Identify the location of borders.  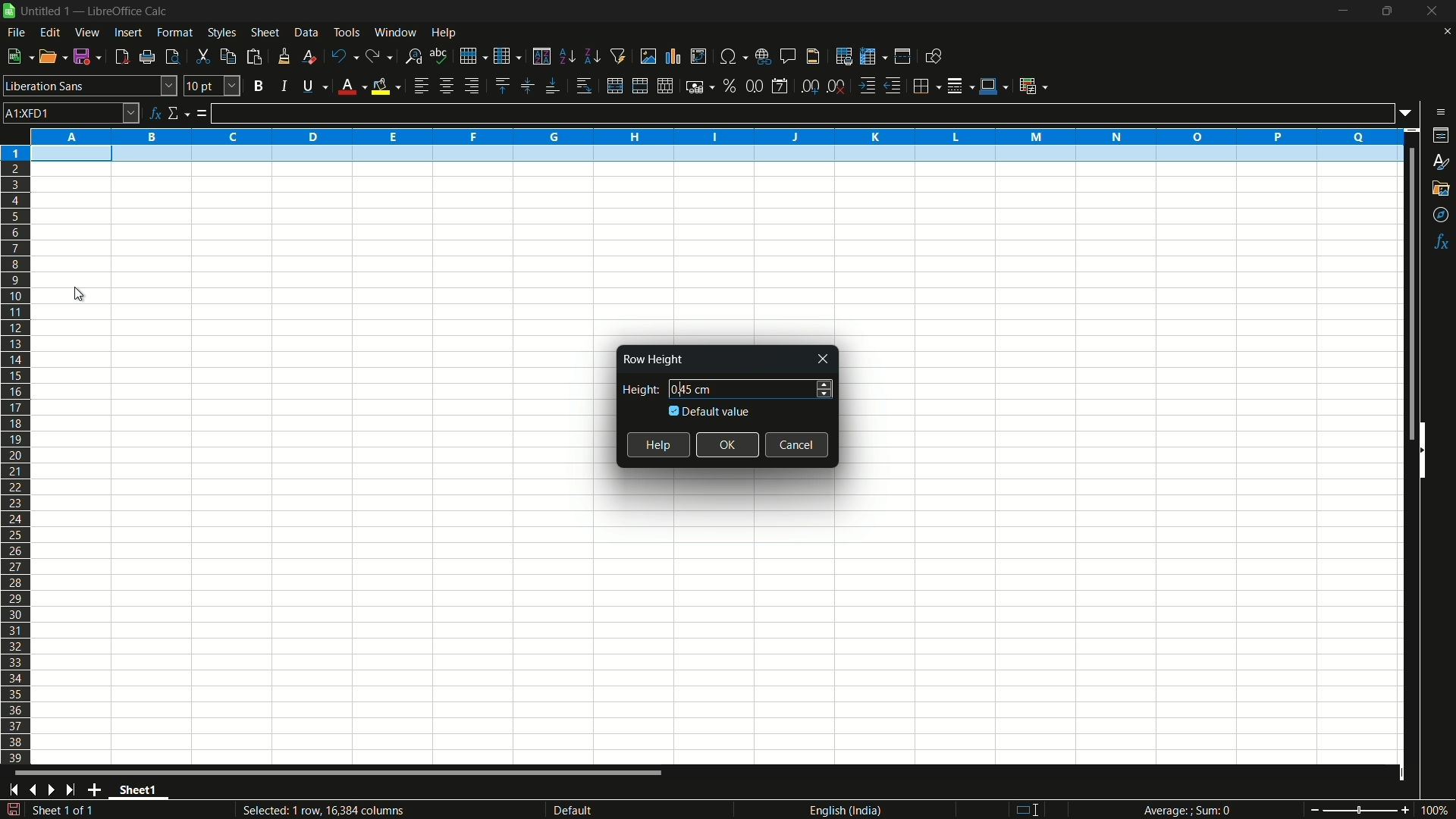
(927, 84).